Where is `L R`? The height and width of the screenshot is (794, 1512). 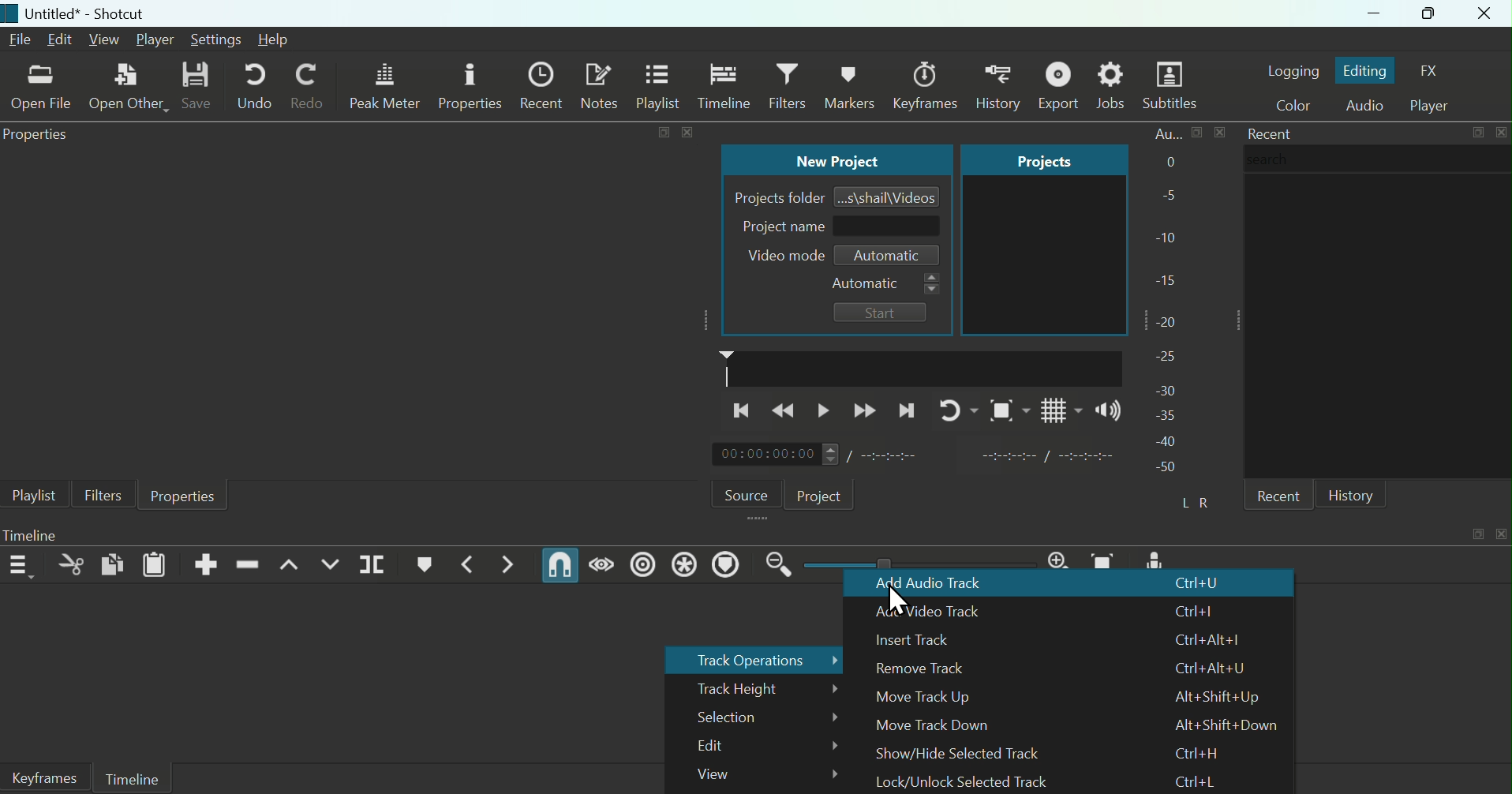 L R is located at coordinates (1200, 503).